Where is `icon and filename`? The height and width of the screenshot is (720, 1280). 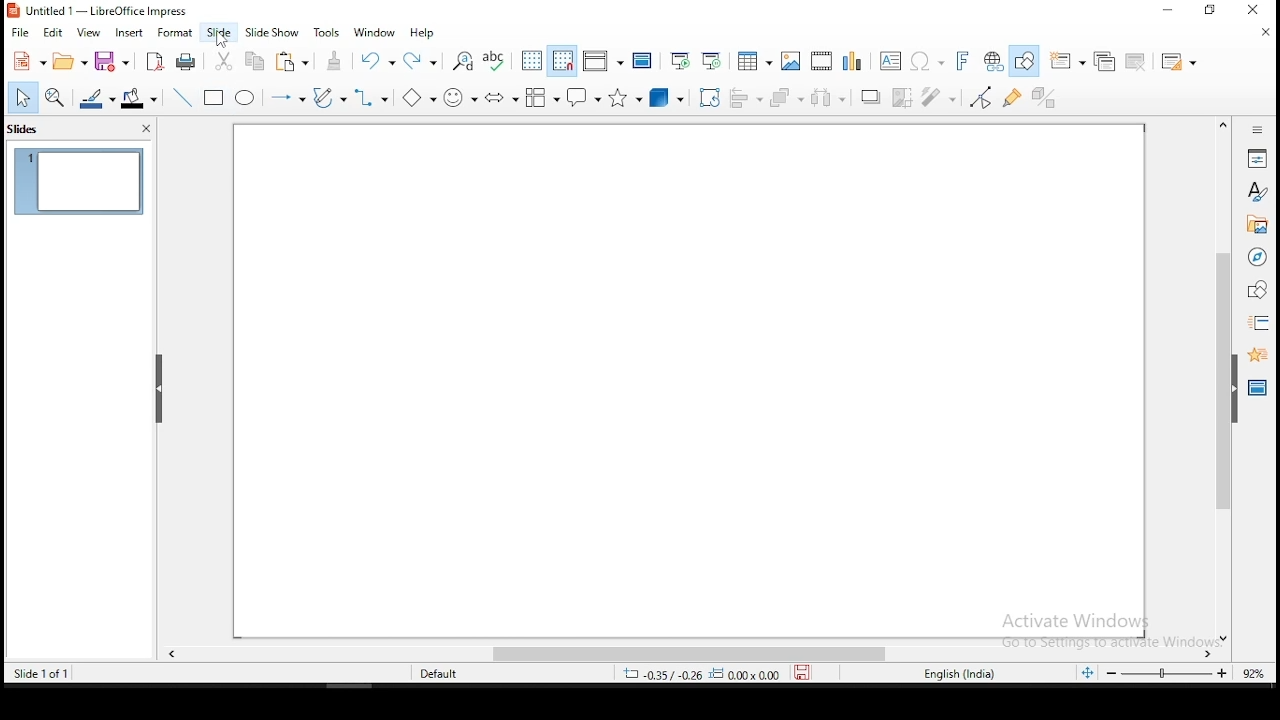 icon and filename is located at coordinates (107, 14).